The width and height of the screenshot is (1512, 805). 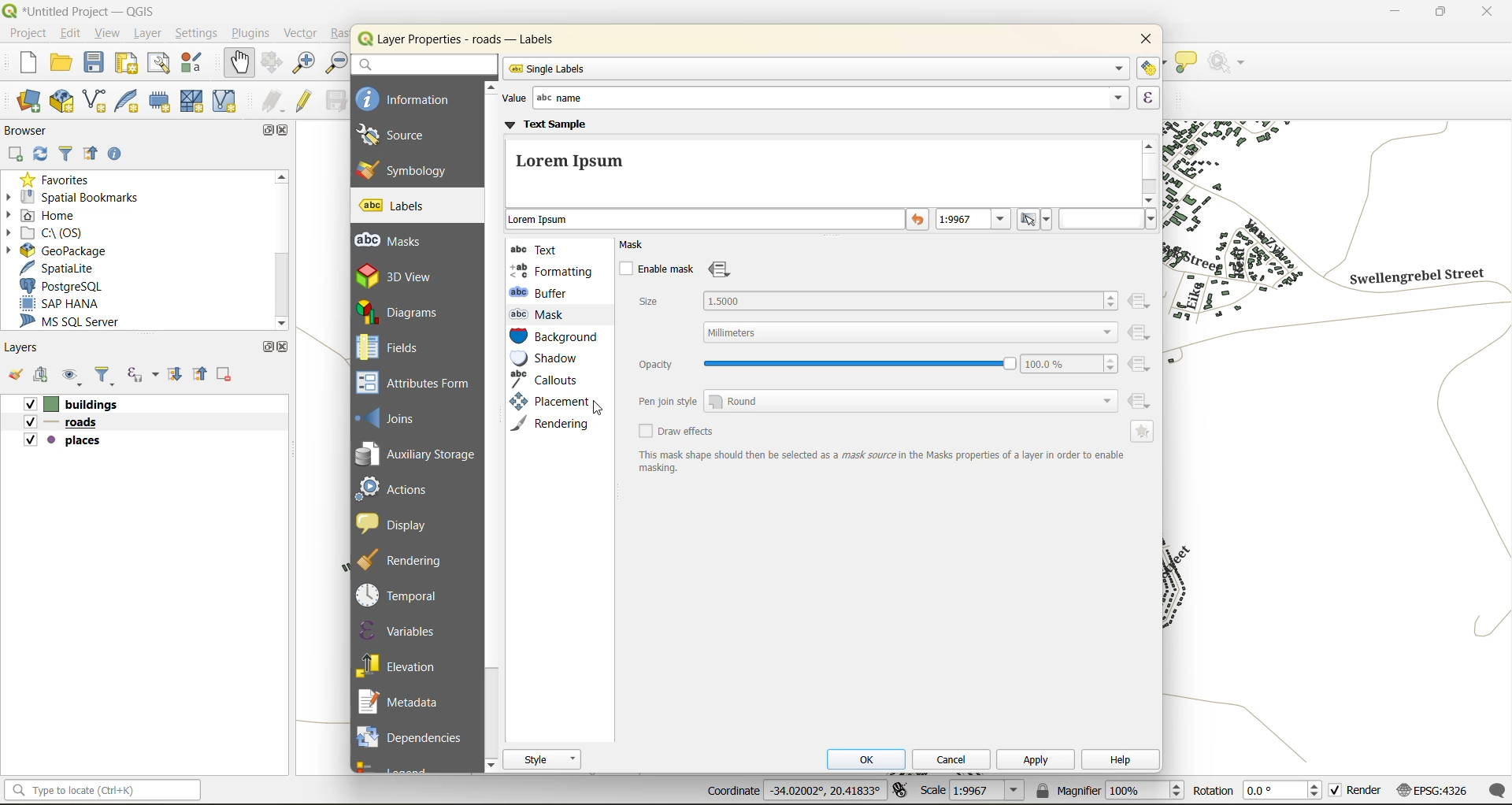 What do you see at coordinates (1149, 68) in the screenshot?
I see `automated placement settings` at bounding box center [1149, 68].